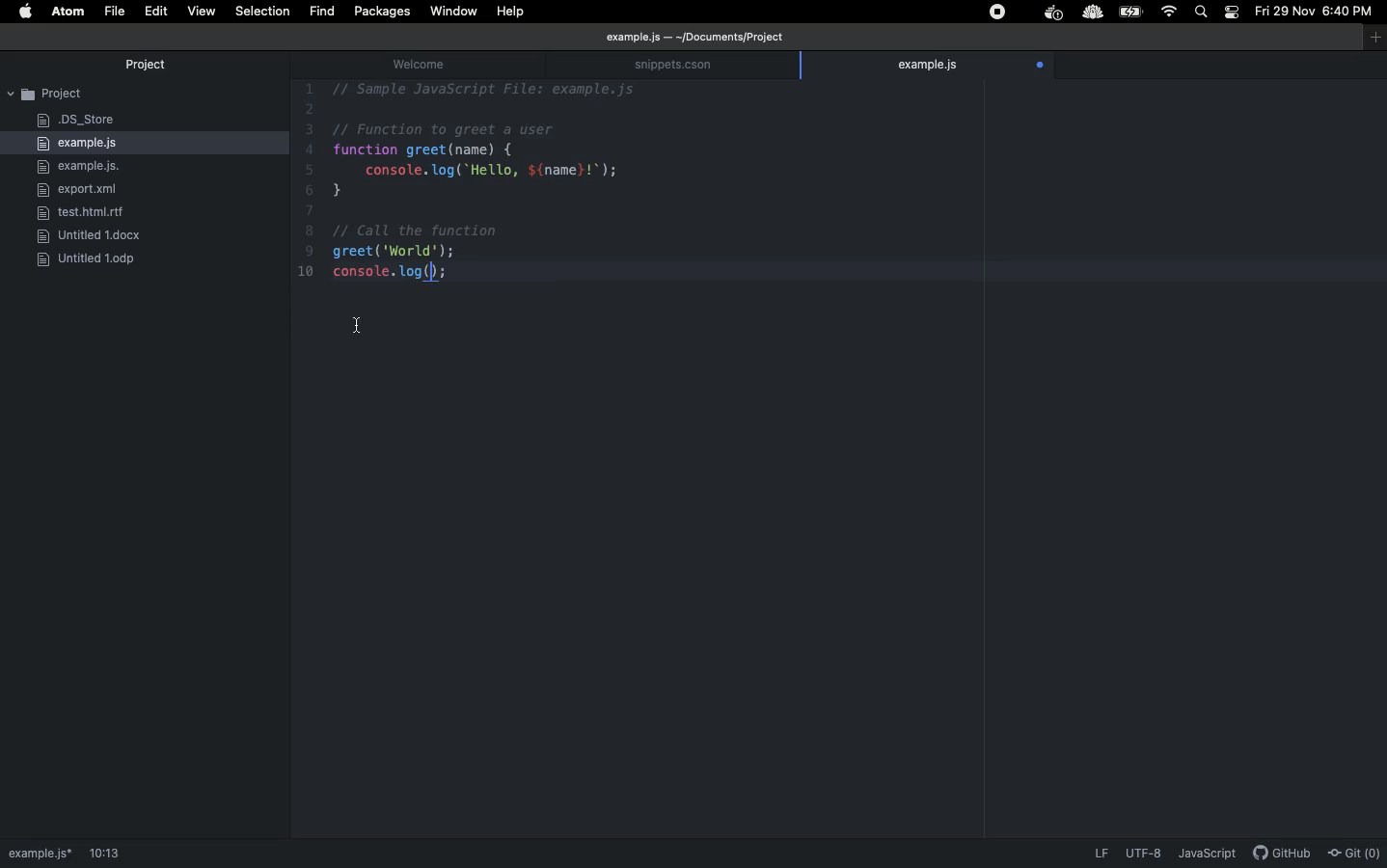 The image size is (1387, 868). What do you see at coordinates (80, 191) in the screenshot?
I see `export.xml` at bounding box center [80, 191].